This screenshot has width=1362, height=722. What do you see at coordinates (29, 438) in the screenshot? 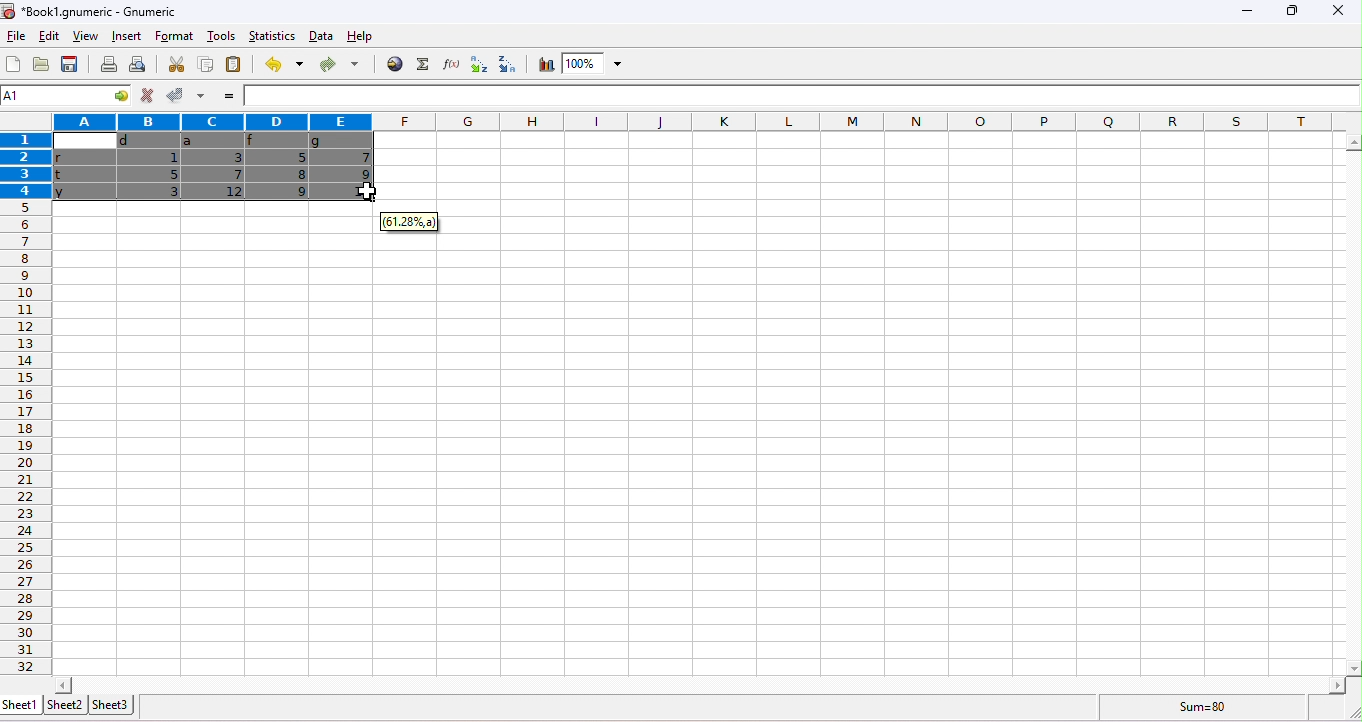
I see `row numbers` at bounding box center [29, 438].